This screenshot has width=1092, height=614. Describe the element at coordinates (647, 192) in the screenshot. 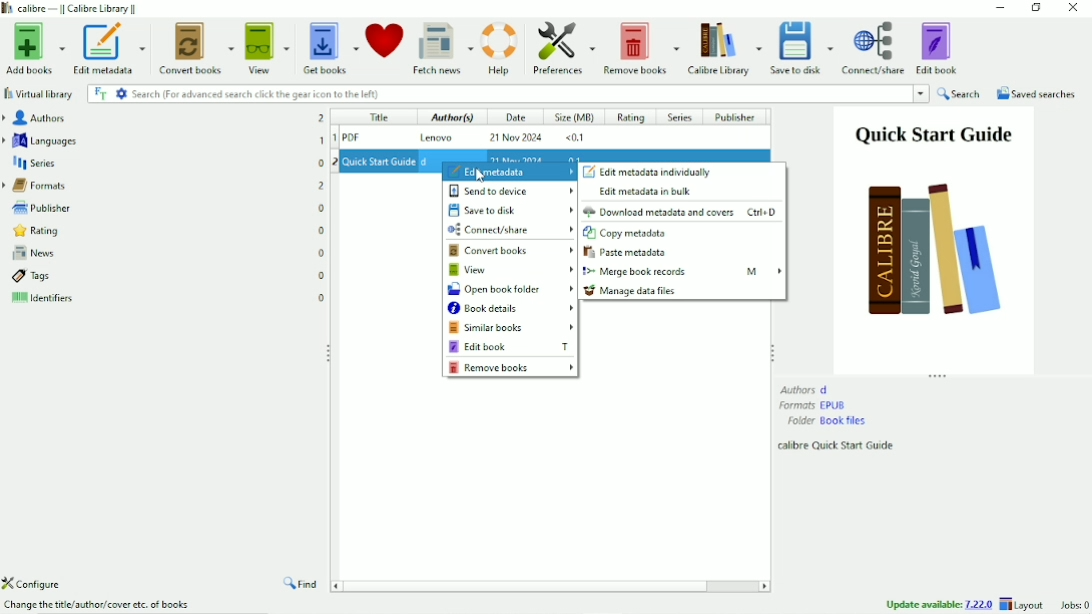

I see `Edit metadata in bulk` at that location.